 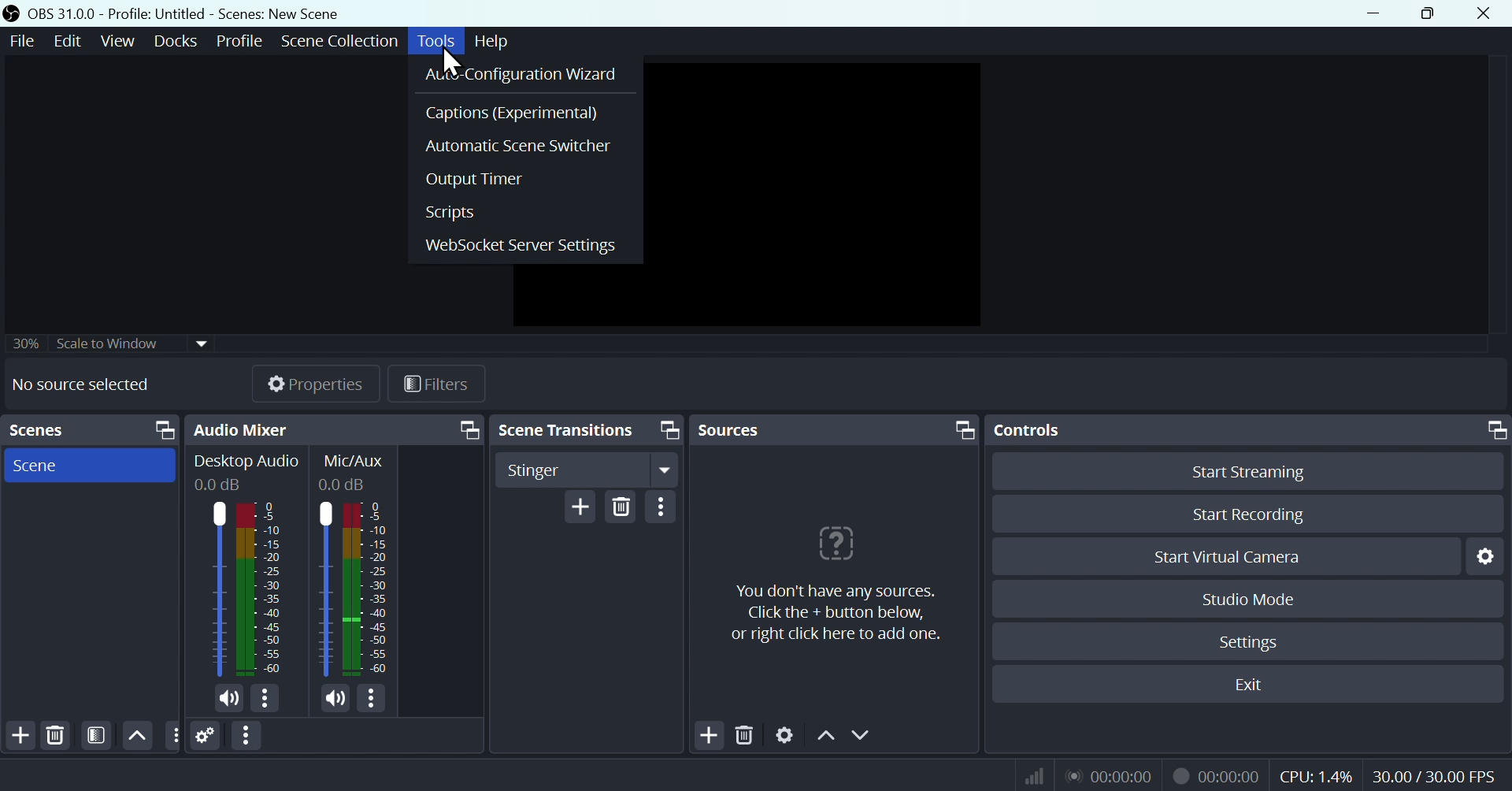 What do you see at coordinates (248, 736) in the screenshot?
I see `Option` at bounding box center [248, 736].